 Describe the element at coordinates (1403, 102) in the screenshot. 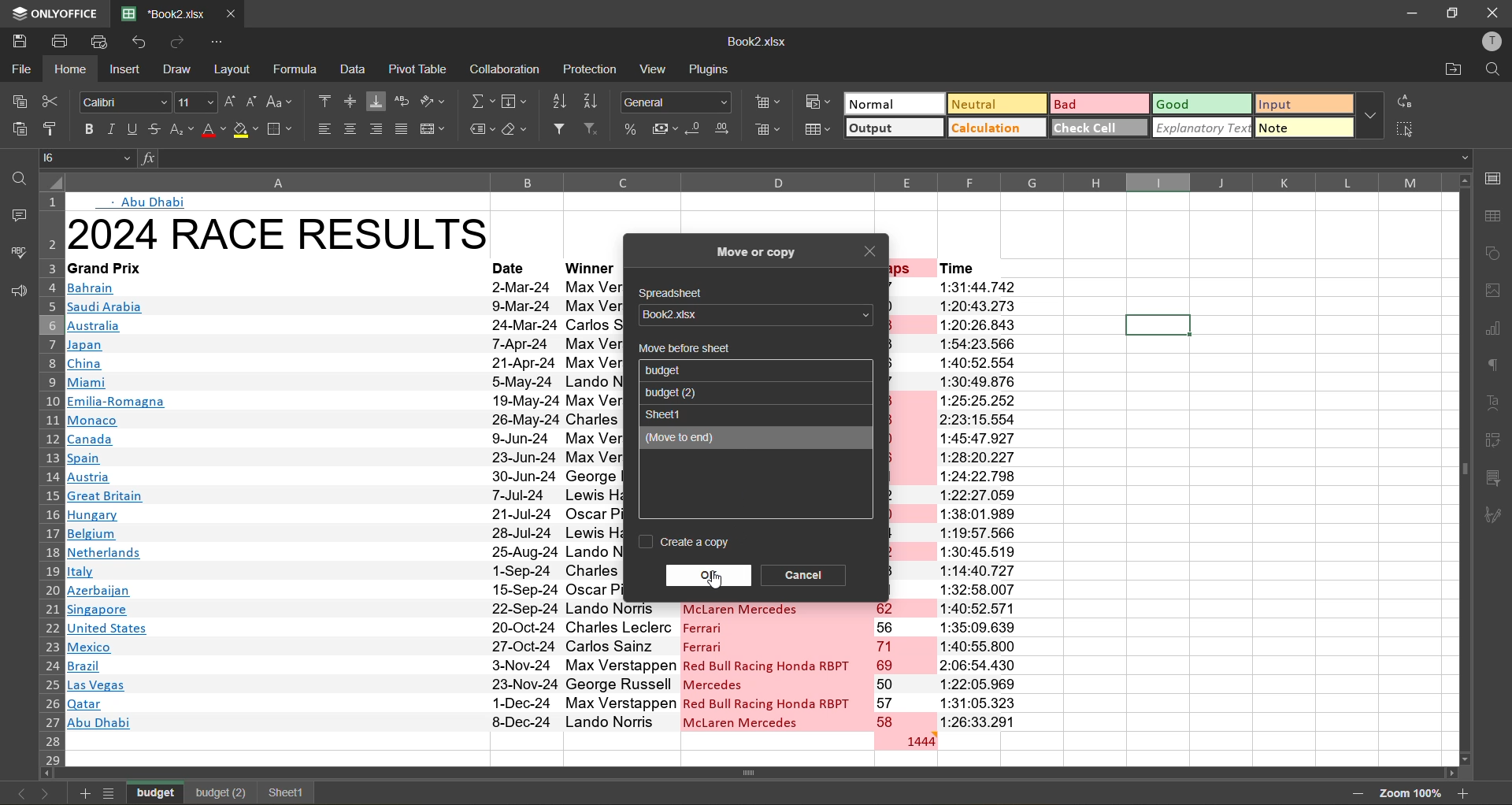

I see `replace` at that location.